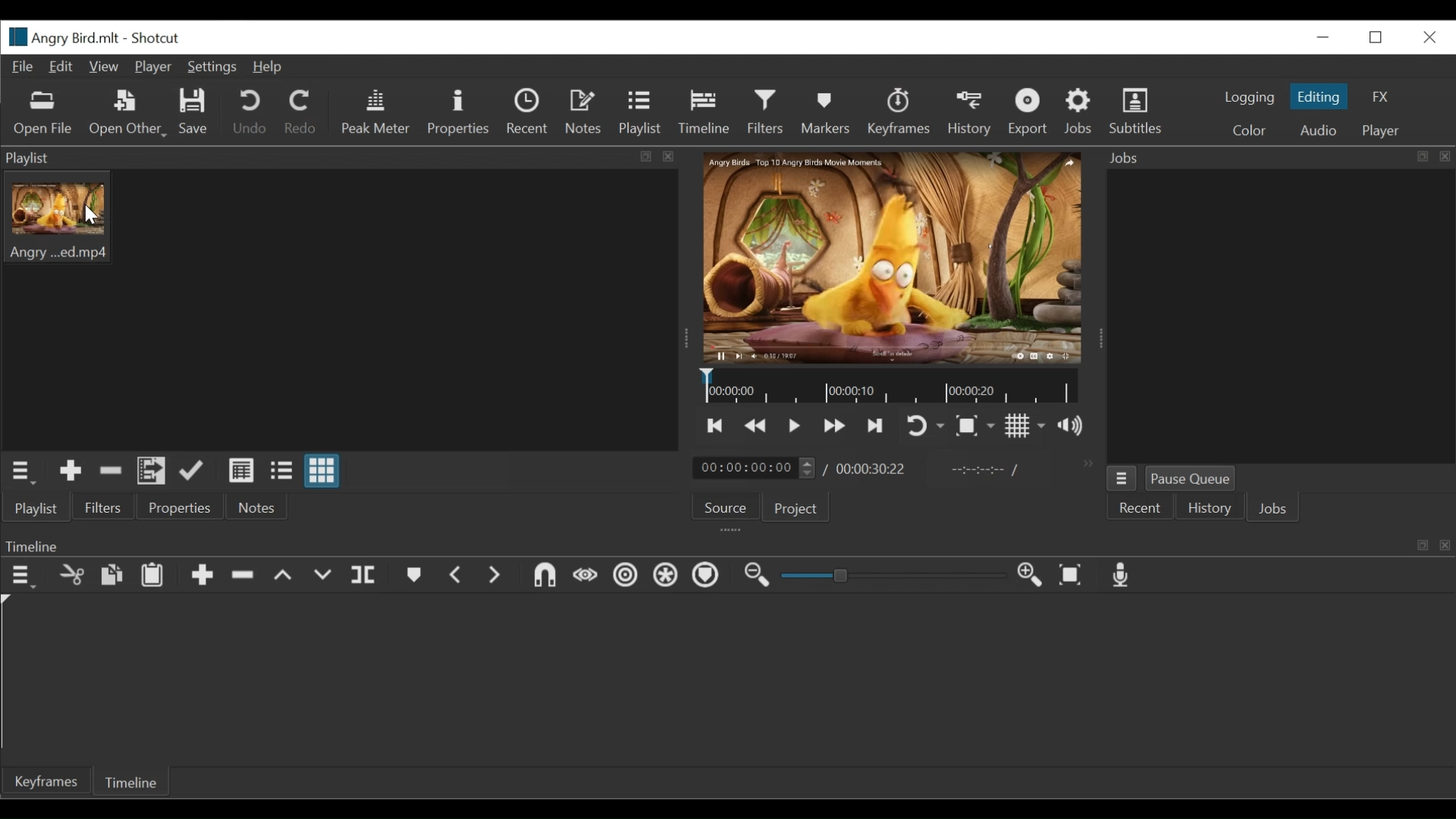  Describe the element at coordinates (899, 111) in the screenshot. I see `Keyframes` at that location.